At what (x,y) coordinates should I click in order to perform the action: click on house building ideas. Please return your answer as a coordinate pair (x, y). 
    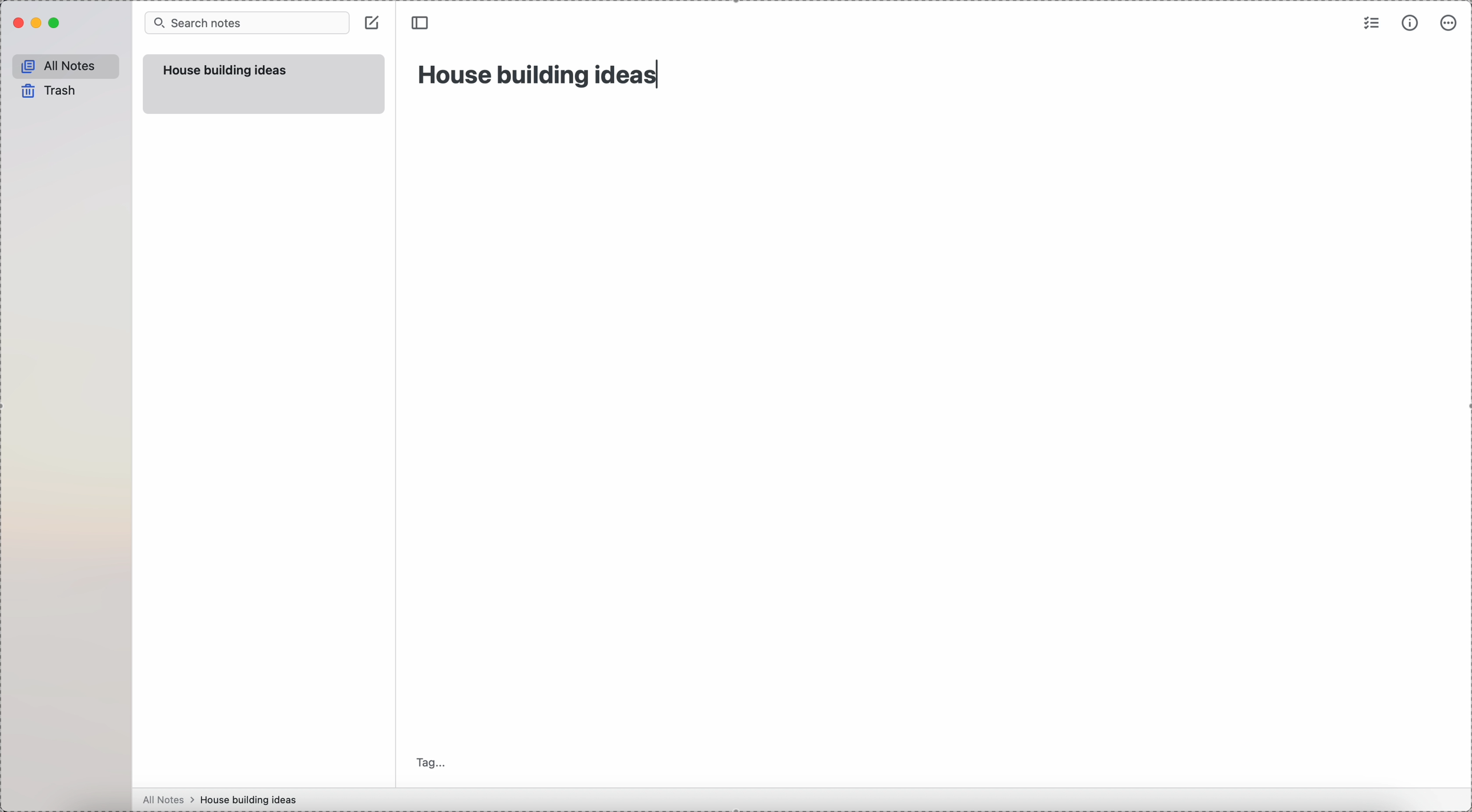
    Looking at the image, I should click on (226, 71).